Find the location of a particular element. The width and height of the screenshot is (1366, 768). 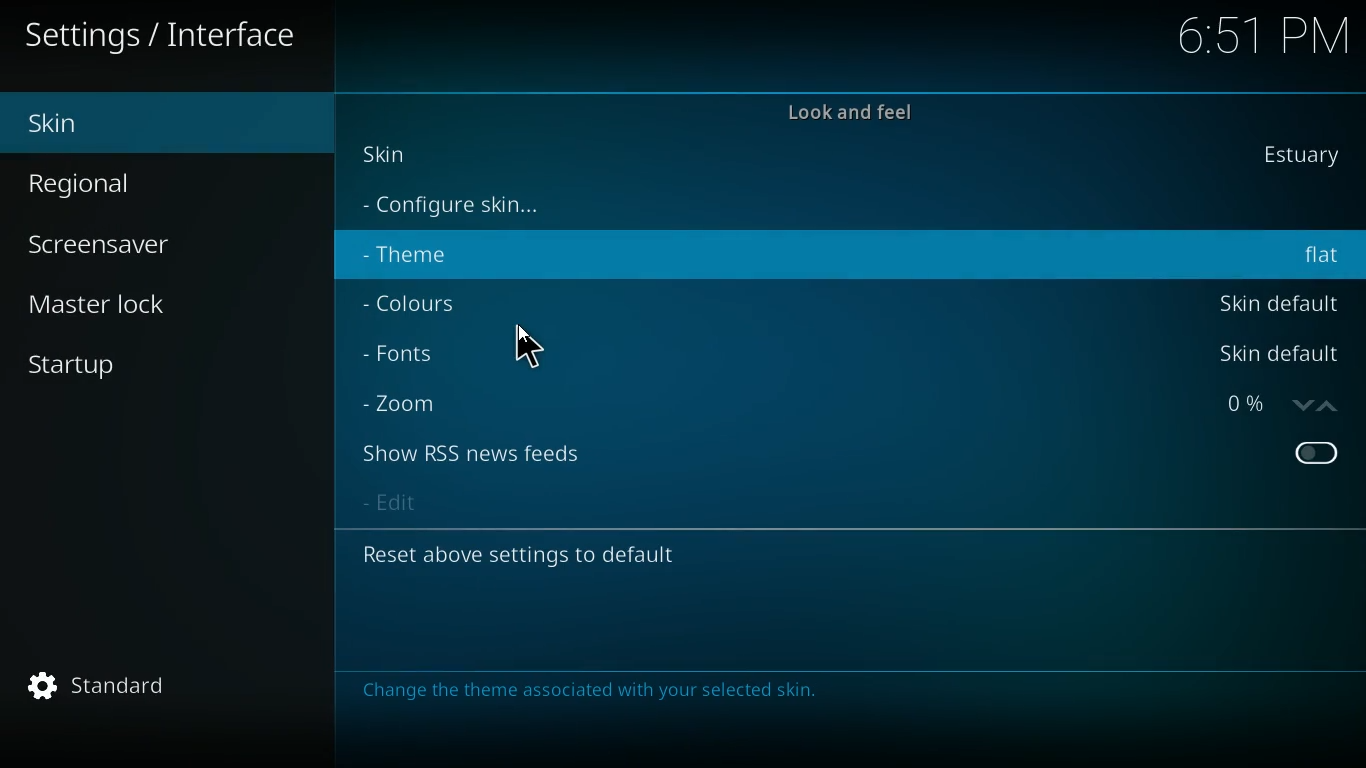

reset is located at coordinates (533, 558).